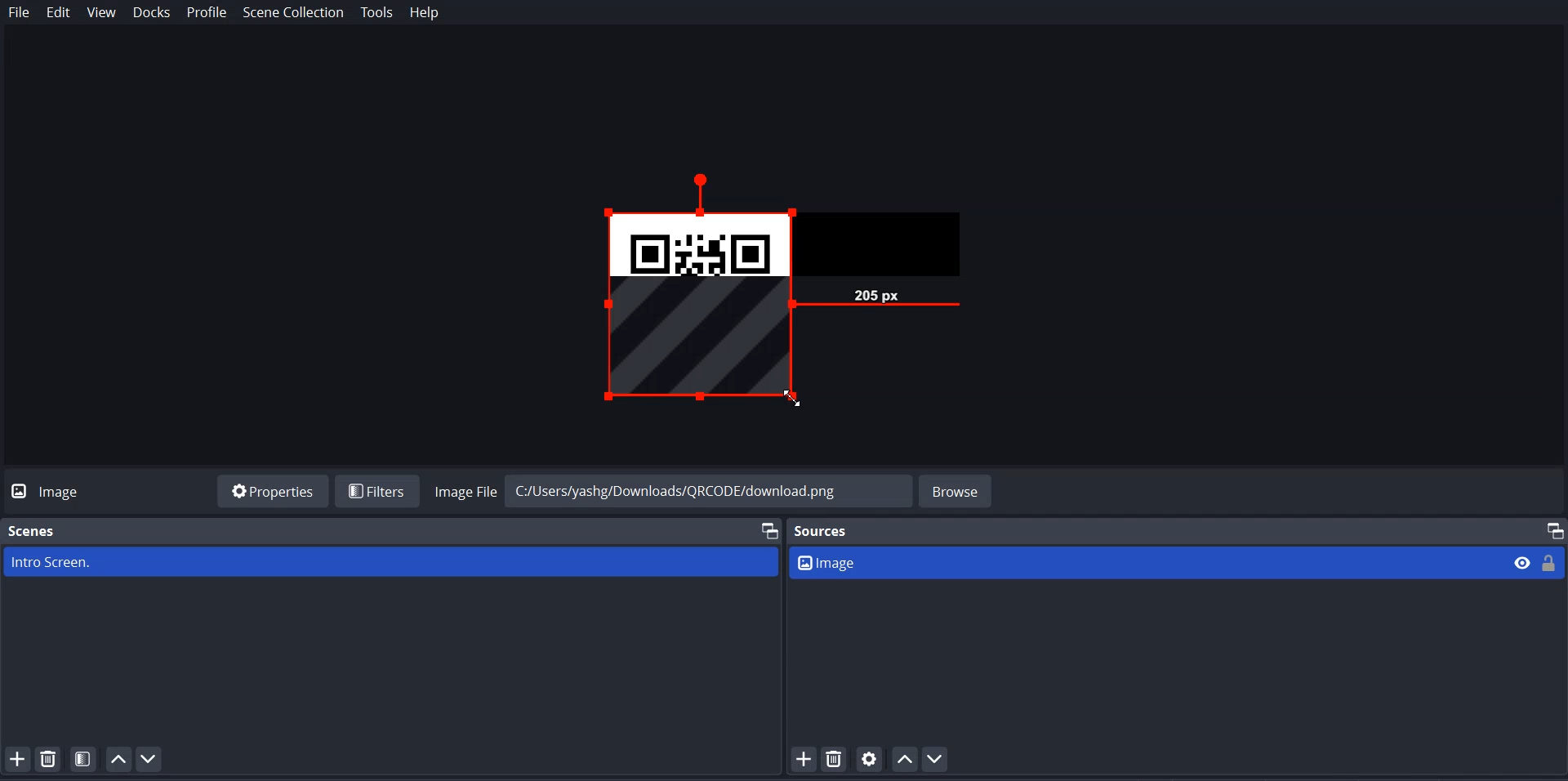 The height and width of the screenshot is (781, 1568). Describe the element at coordinates (704, 486) in the screenshot. I see `C:/Userslyashg/Downloads/QRCODE/download.png` at that location.